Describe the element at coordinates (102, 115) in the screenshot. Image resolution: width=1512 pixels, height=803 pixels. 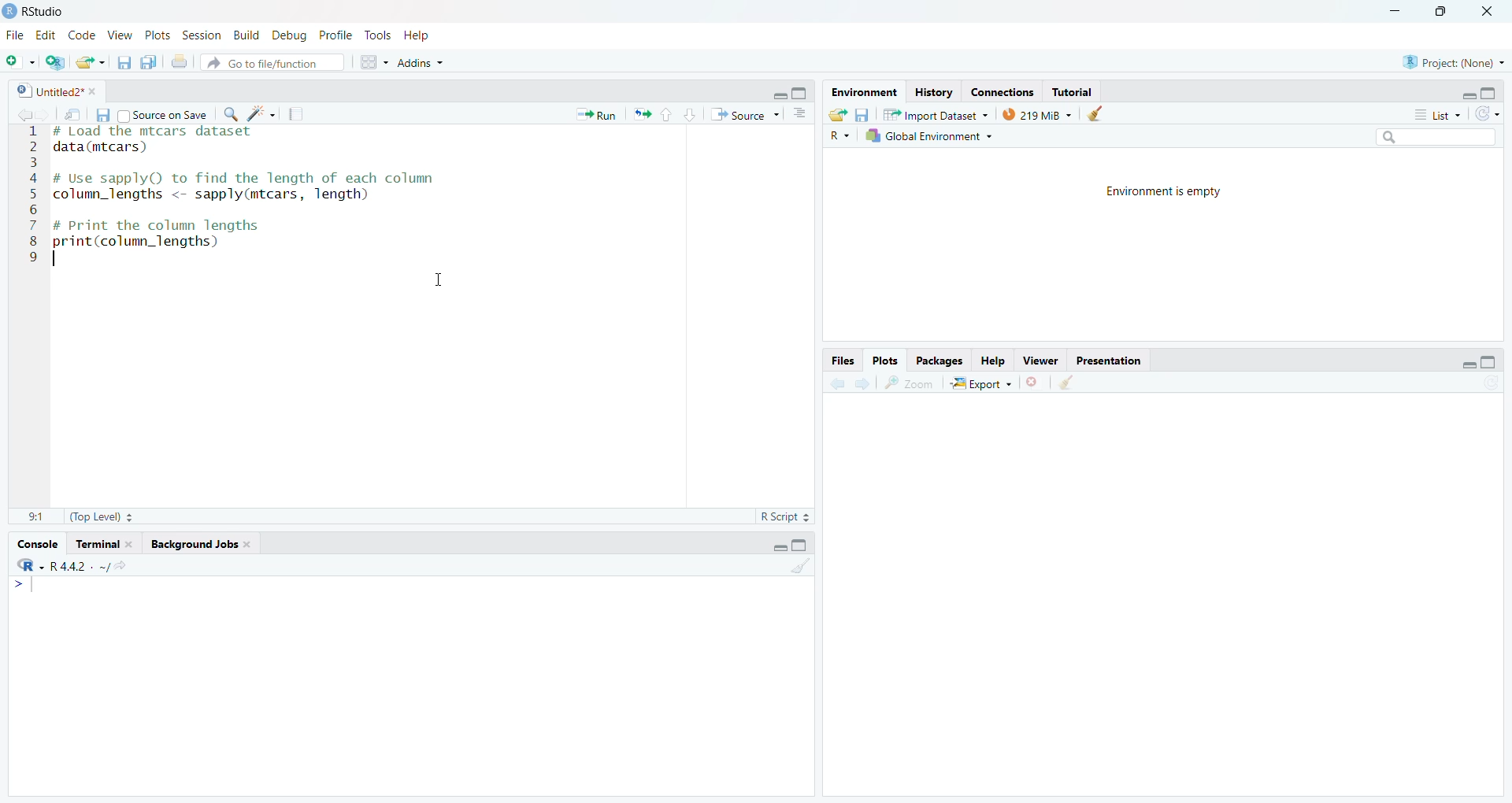
I see `Save` at that location.